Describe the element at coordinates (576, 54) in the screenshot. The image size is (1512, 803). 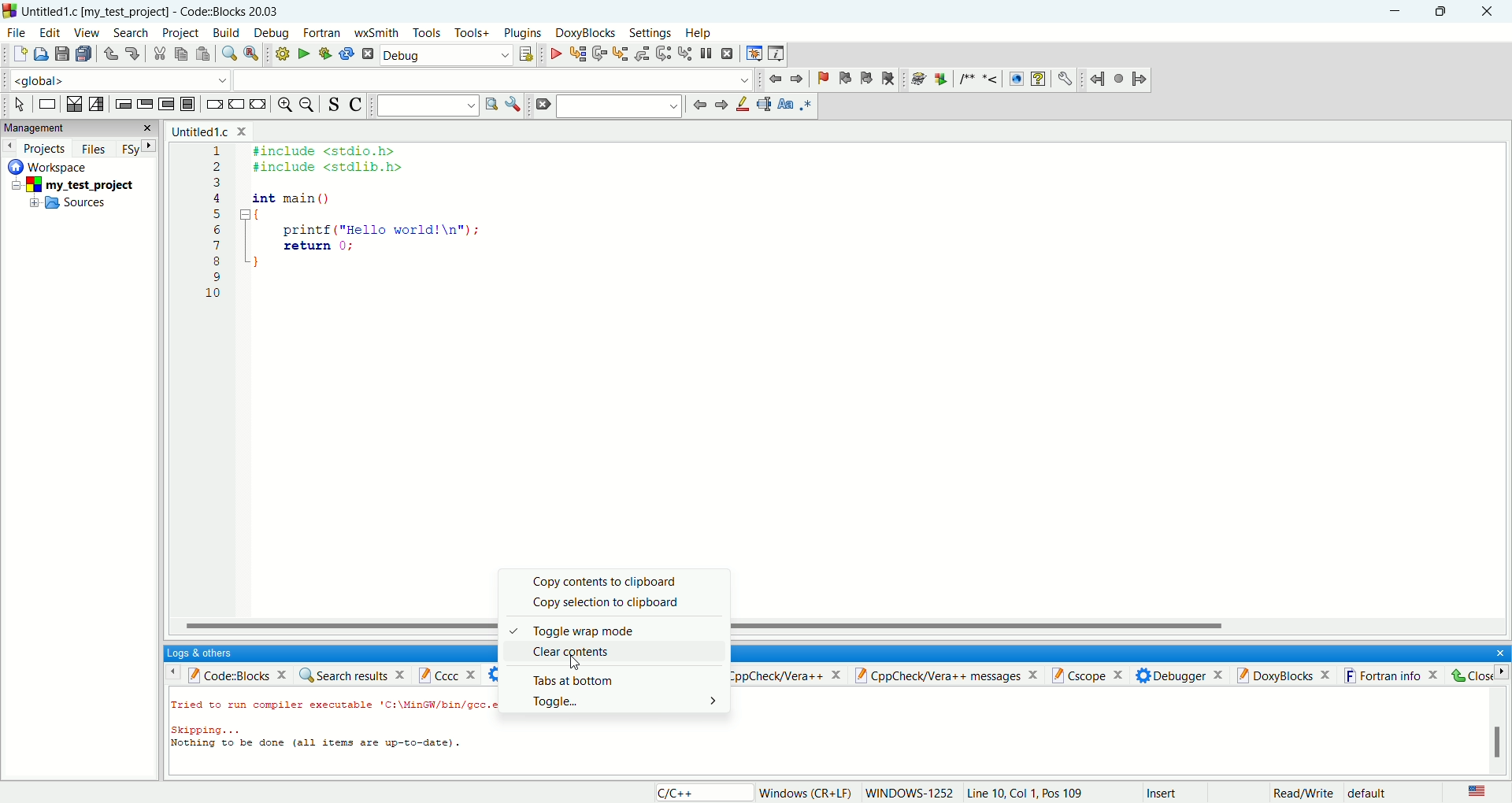
I see `run cursor` at that location.